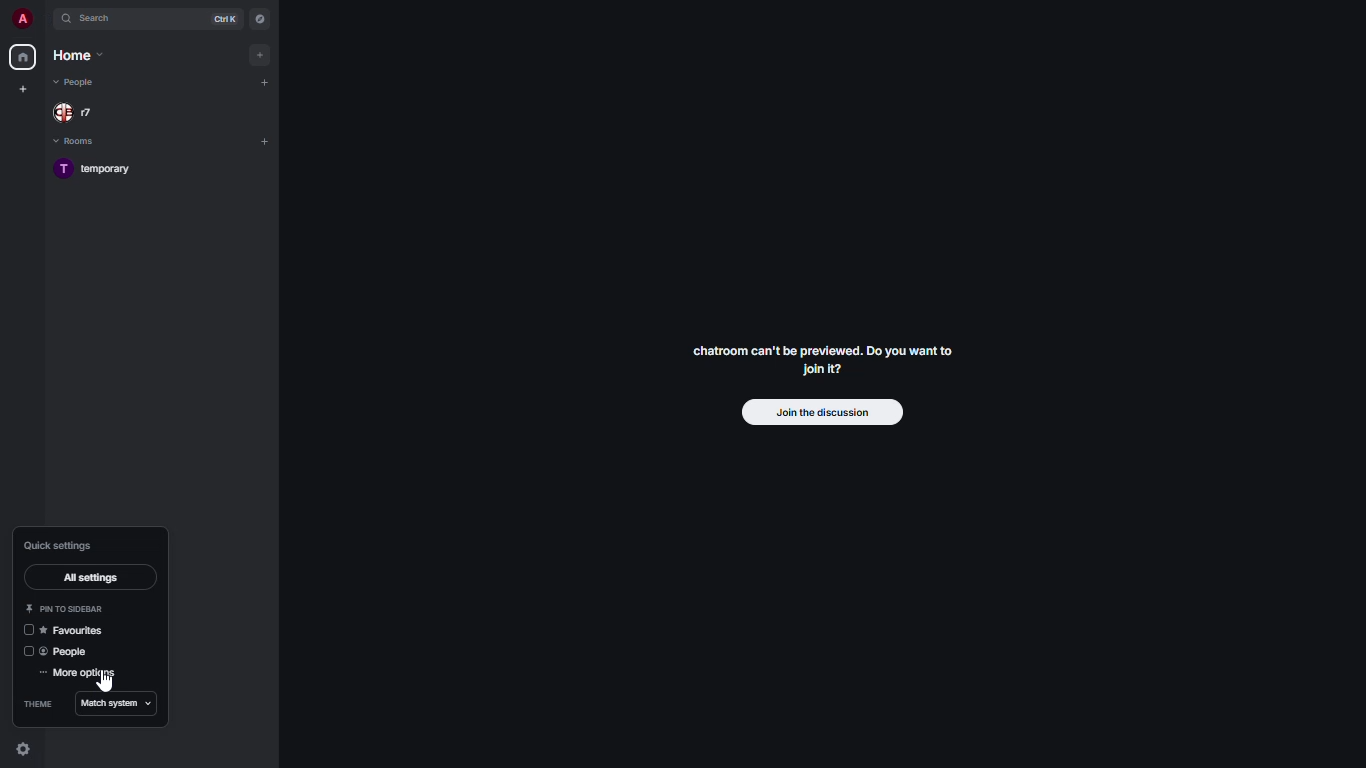 This screenshot has width=1366, height=768. I want to click on pin to sidebar, so click(67, 610).